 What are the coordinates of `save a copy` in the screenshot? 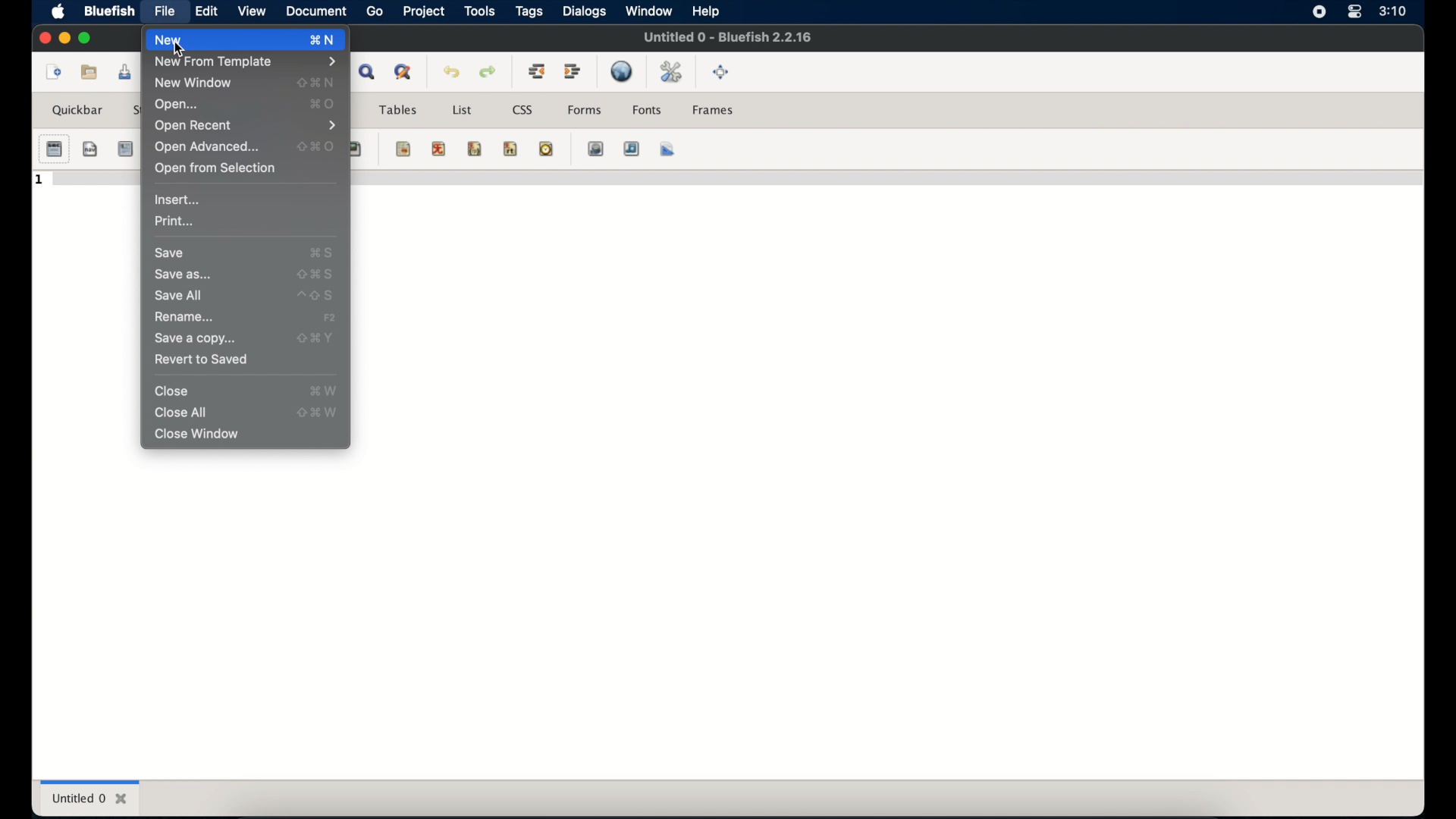 It's located at (196, 339).